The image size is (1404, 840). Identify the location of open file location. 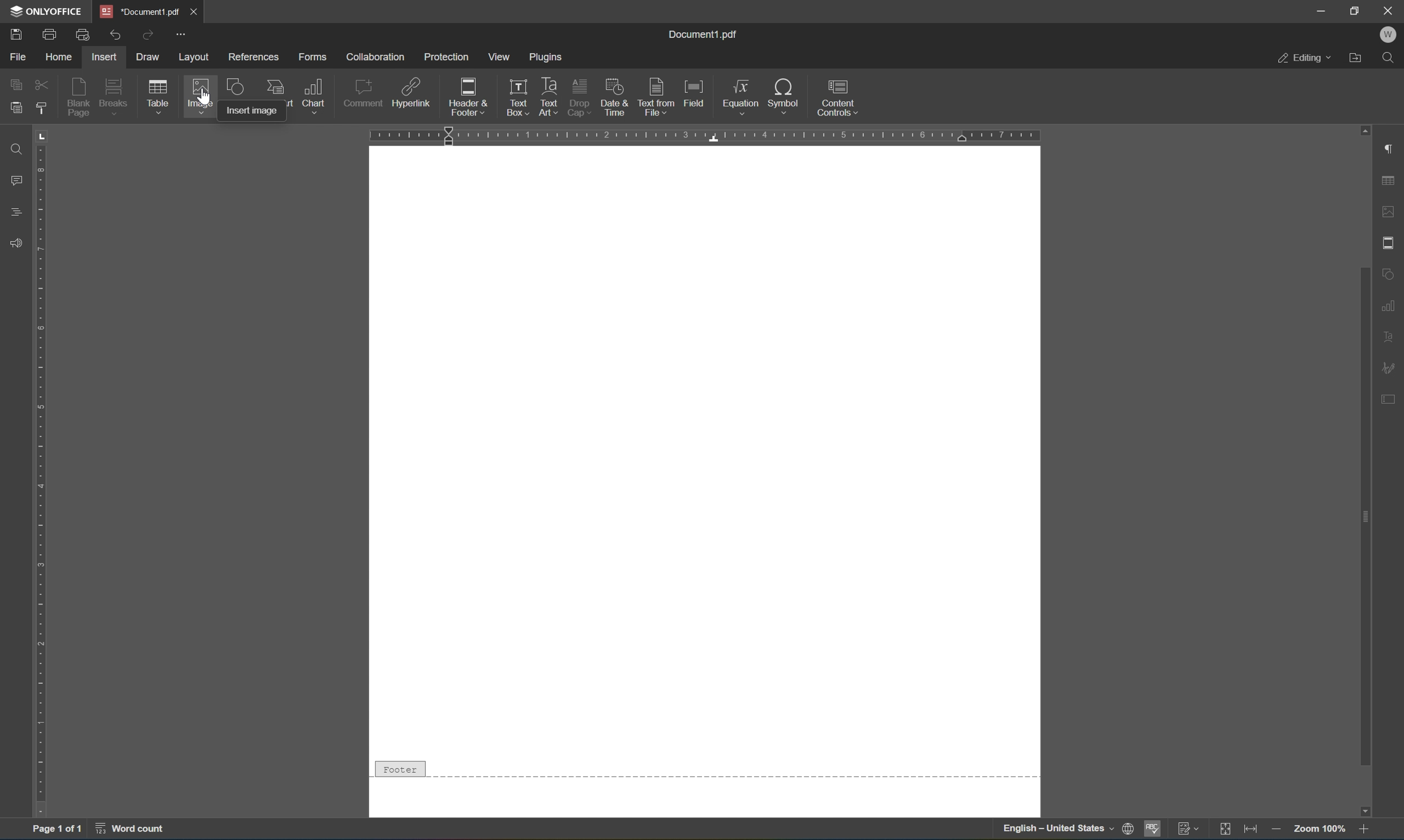
(1358, 59).